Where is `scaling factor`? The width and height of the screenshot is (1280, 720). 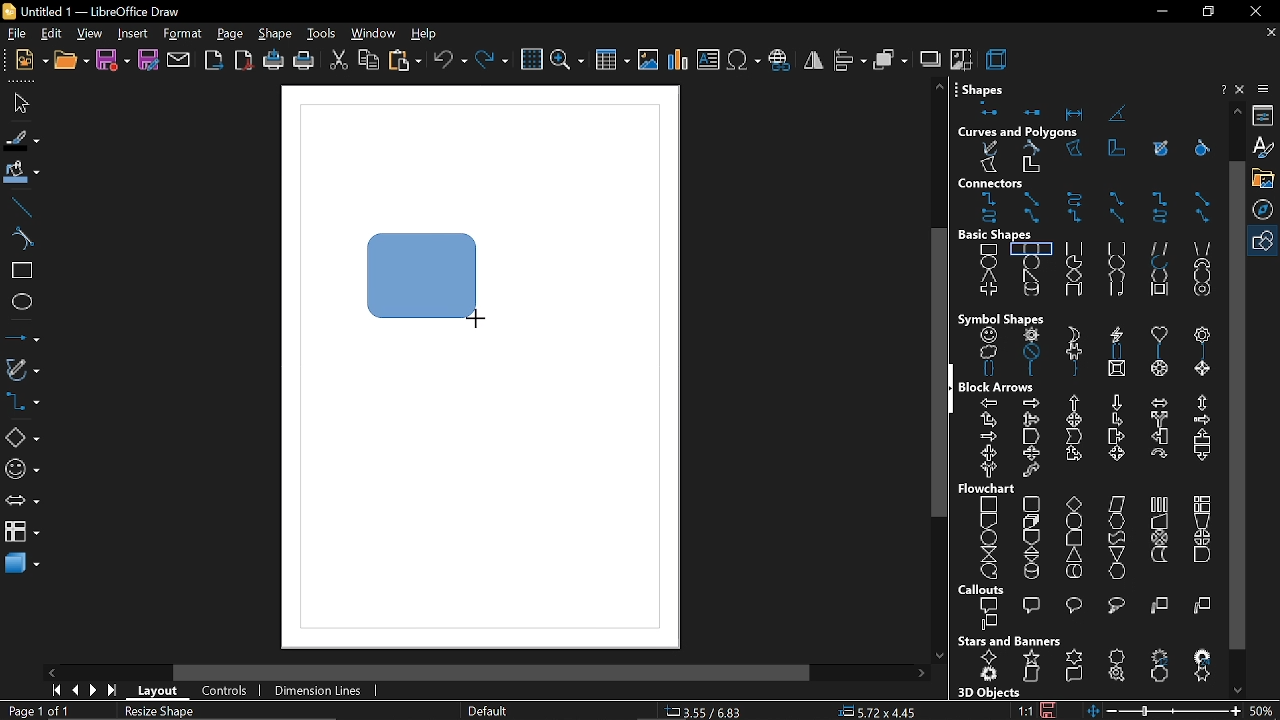
scaling factor is located at coordinates (1025, 711).